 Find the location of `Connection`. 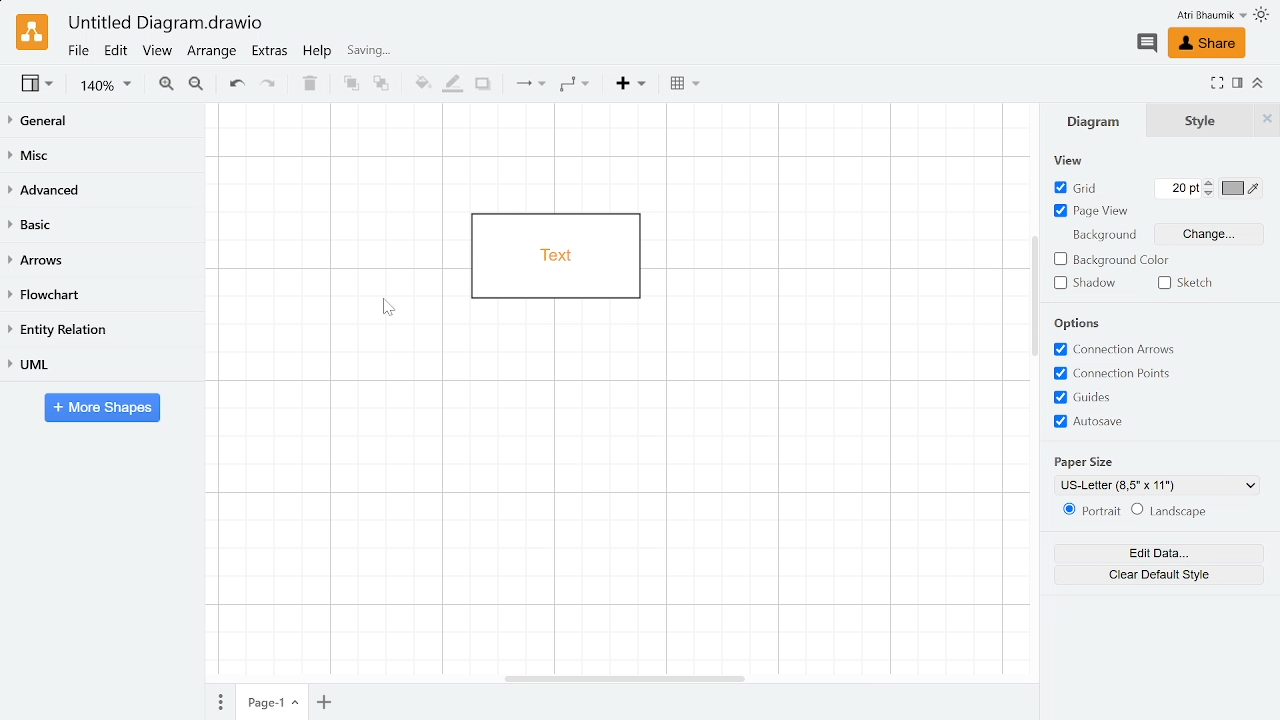

Connection is located at coordinates (526, 85).